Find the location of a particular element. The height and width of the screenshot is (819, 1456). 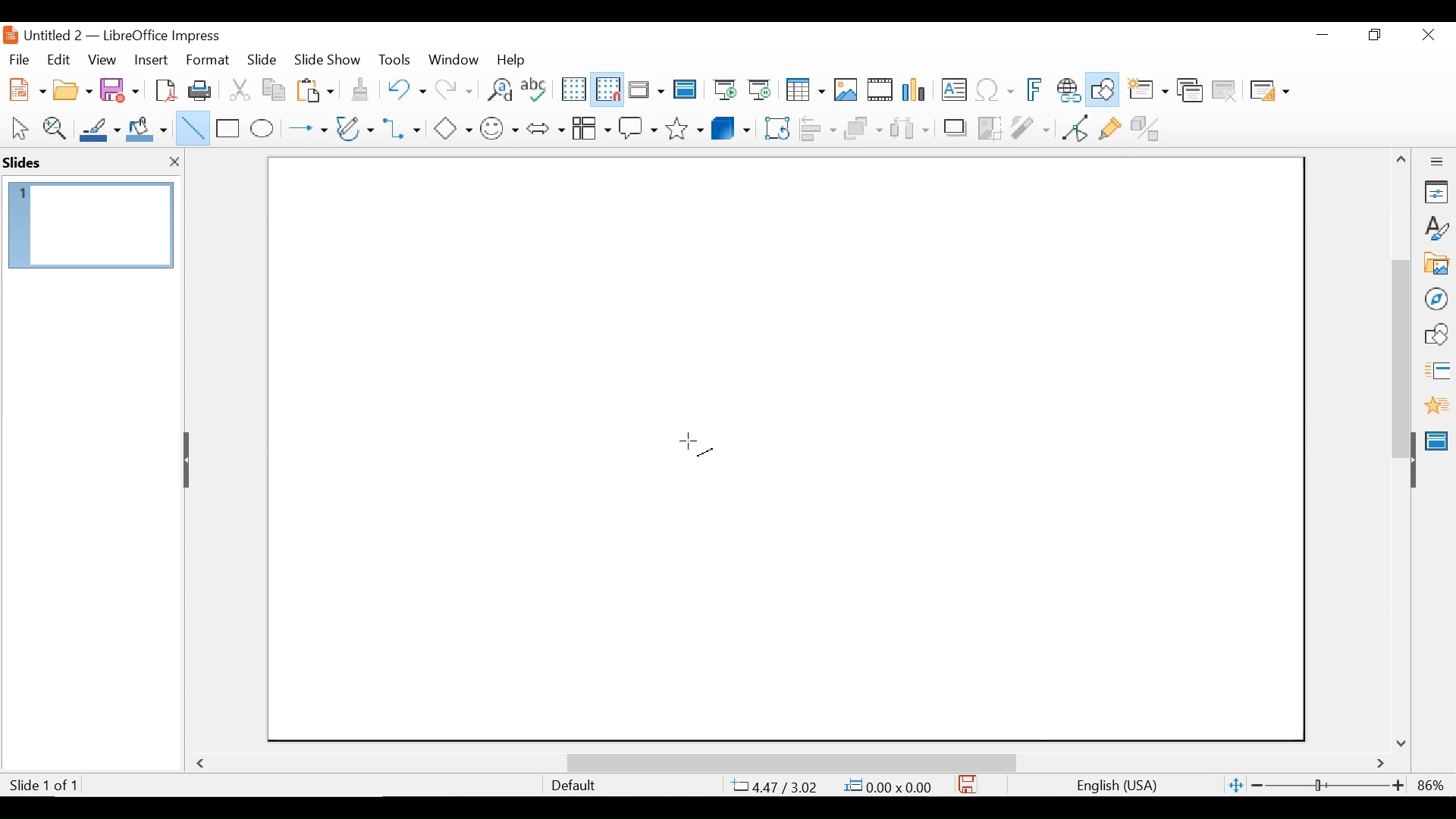

Properties is located at coordinates (1436, 192).